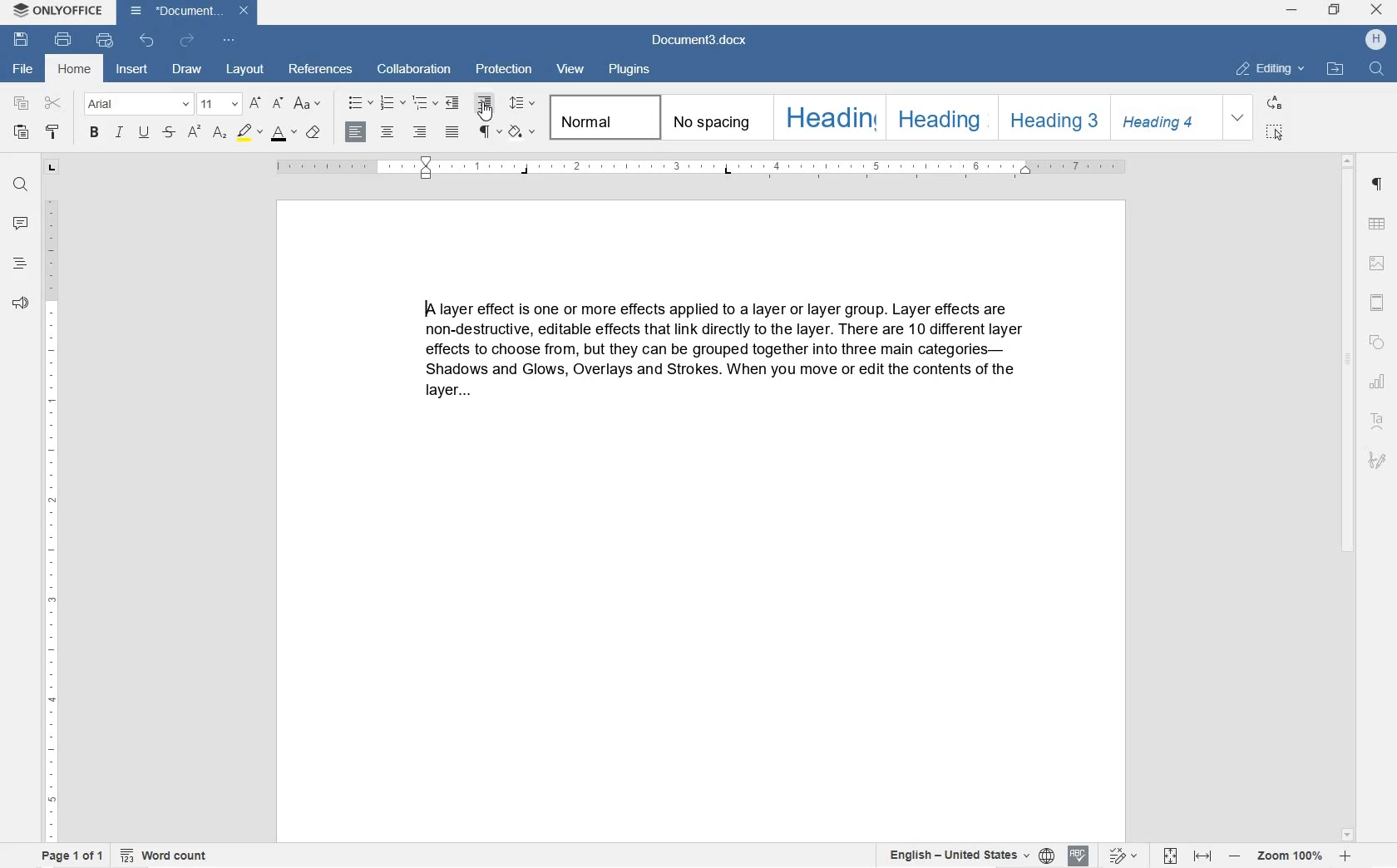 This screenshot has width=1397, height=868. What do you see at coordinates (1336, 68) in the screenshot?
I see `OPEN FILE LOCATION` at bounding box center [1336, 68].